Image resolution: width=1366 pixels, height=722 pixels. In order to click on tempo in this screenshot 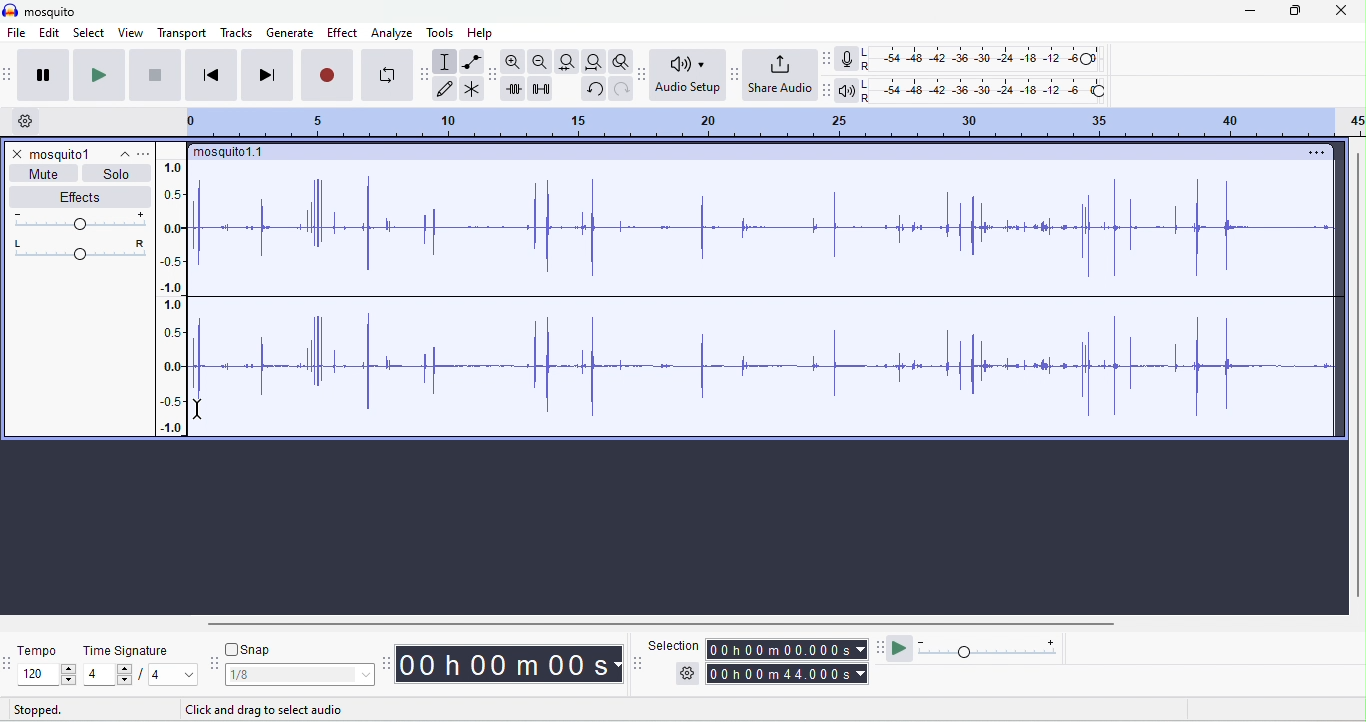, I will do `click(39, 653)`.